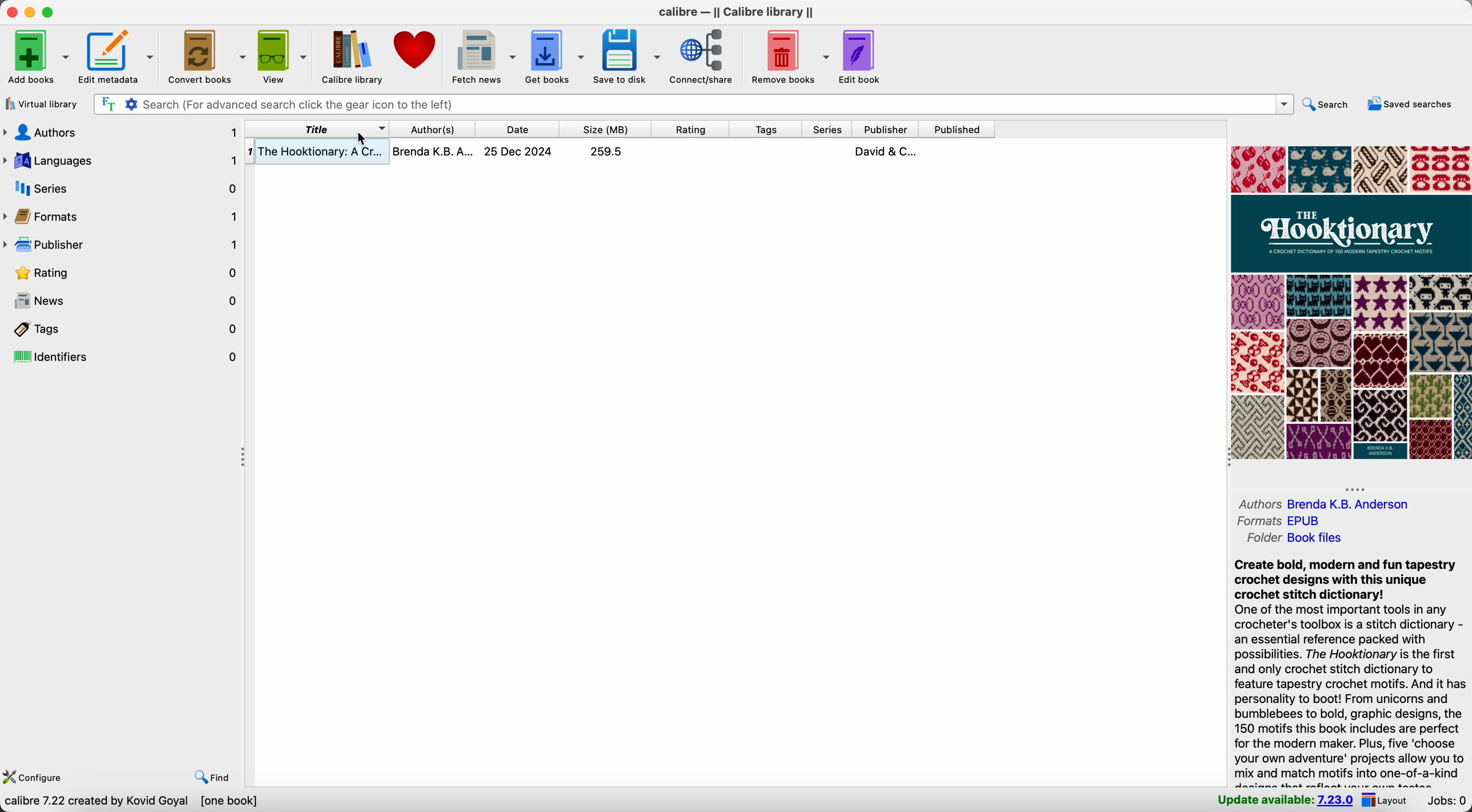 The image size is (1472, 812). I want to click on author(s), so click(431, 128).